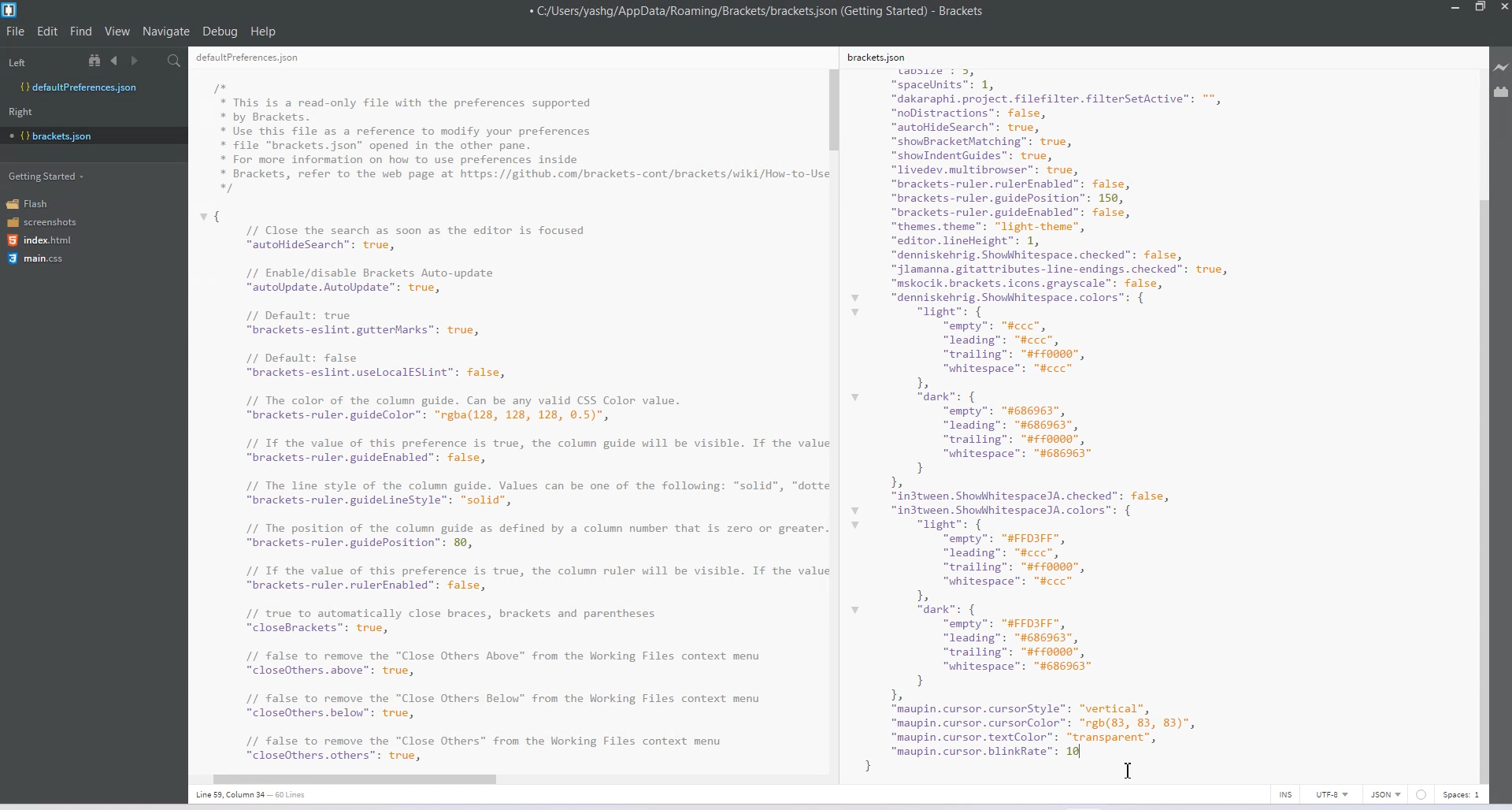 This screenshot has height=810, width=1512. I want to click on View in file Tree, so click(97, 60).